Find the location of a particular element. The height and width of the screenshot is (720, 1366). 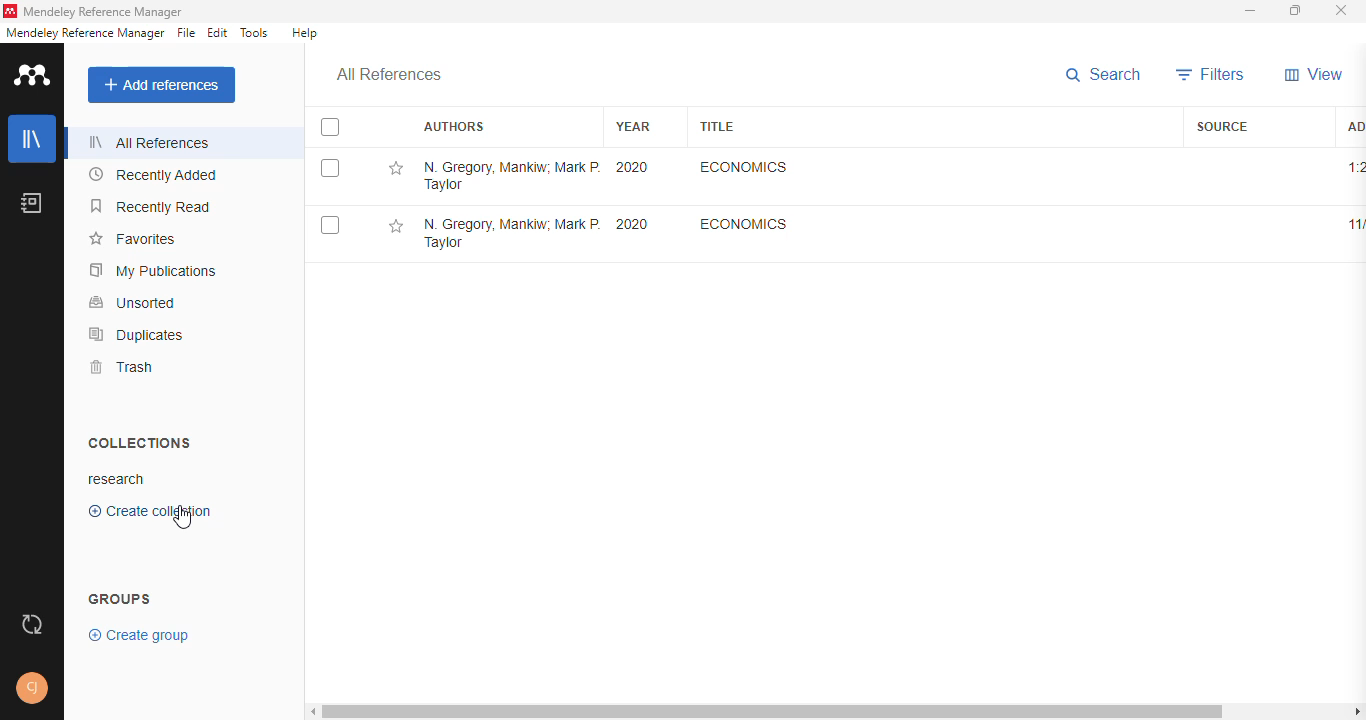

my publications is located at coordinates (154, 270).